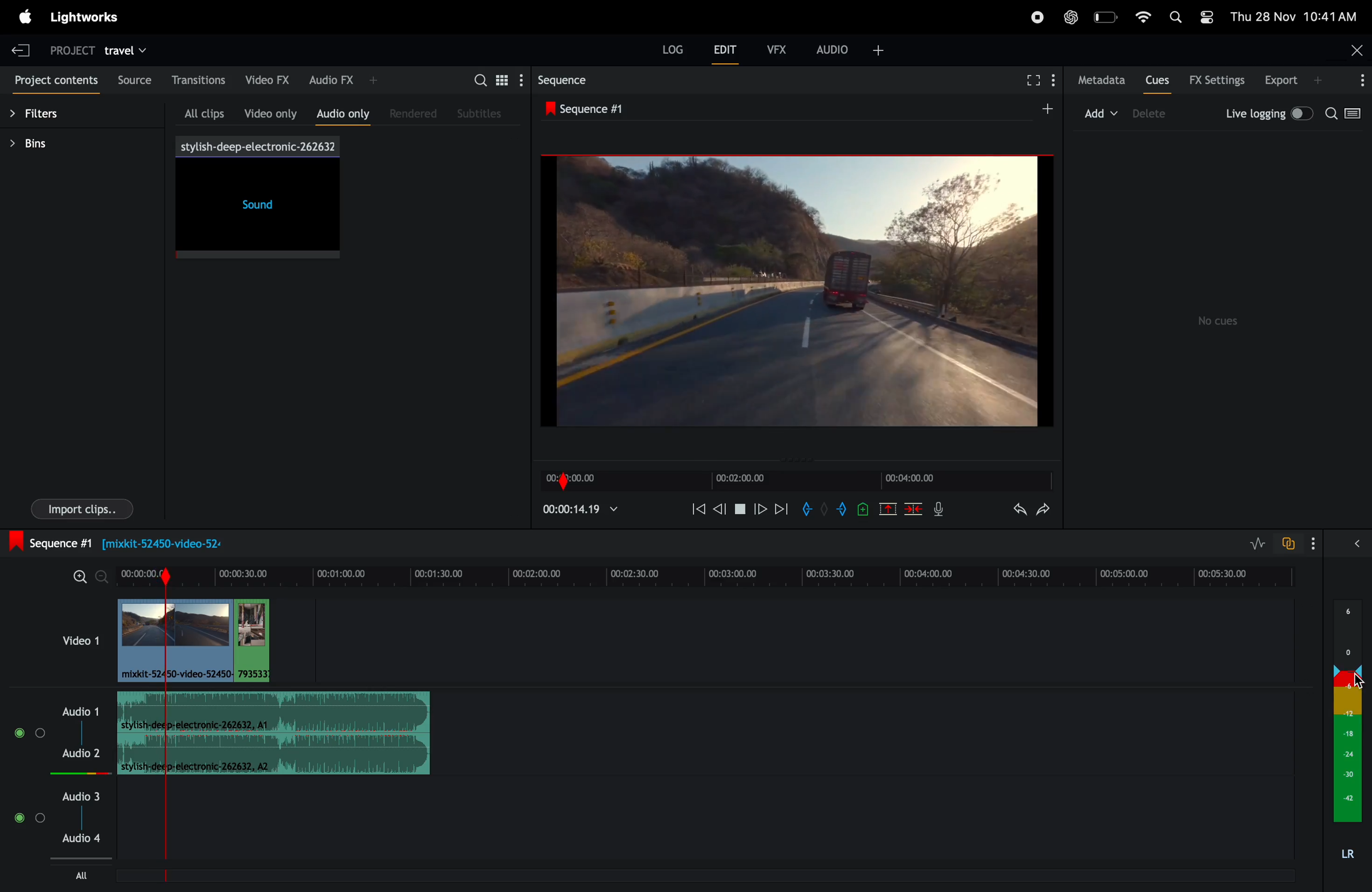 This screenshot has height=892, width=1372. Describe the element at coordinates (922, 480) in the screenshot. I see `frame time` at that location.